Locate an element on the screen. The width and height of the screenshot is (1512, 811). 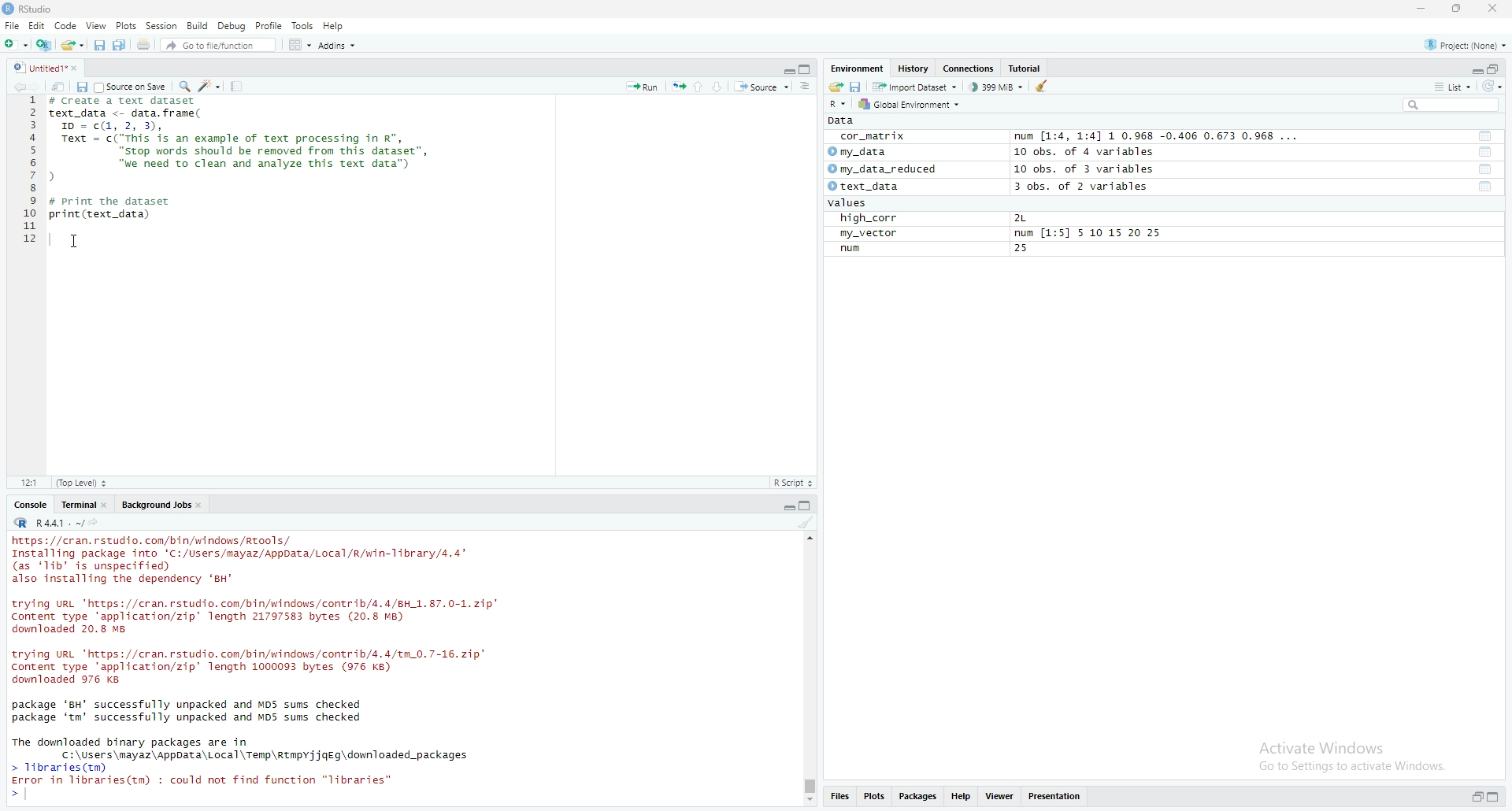
help is located at coordinates (334, 26).